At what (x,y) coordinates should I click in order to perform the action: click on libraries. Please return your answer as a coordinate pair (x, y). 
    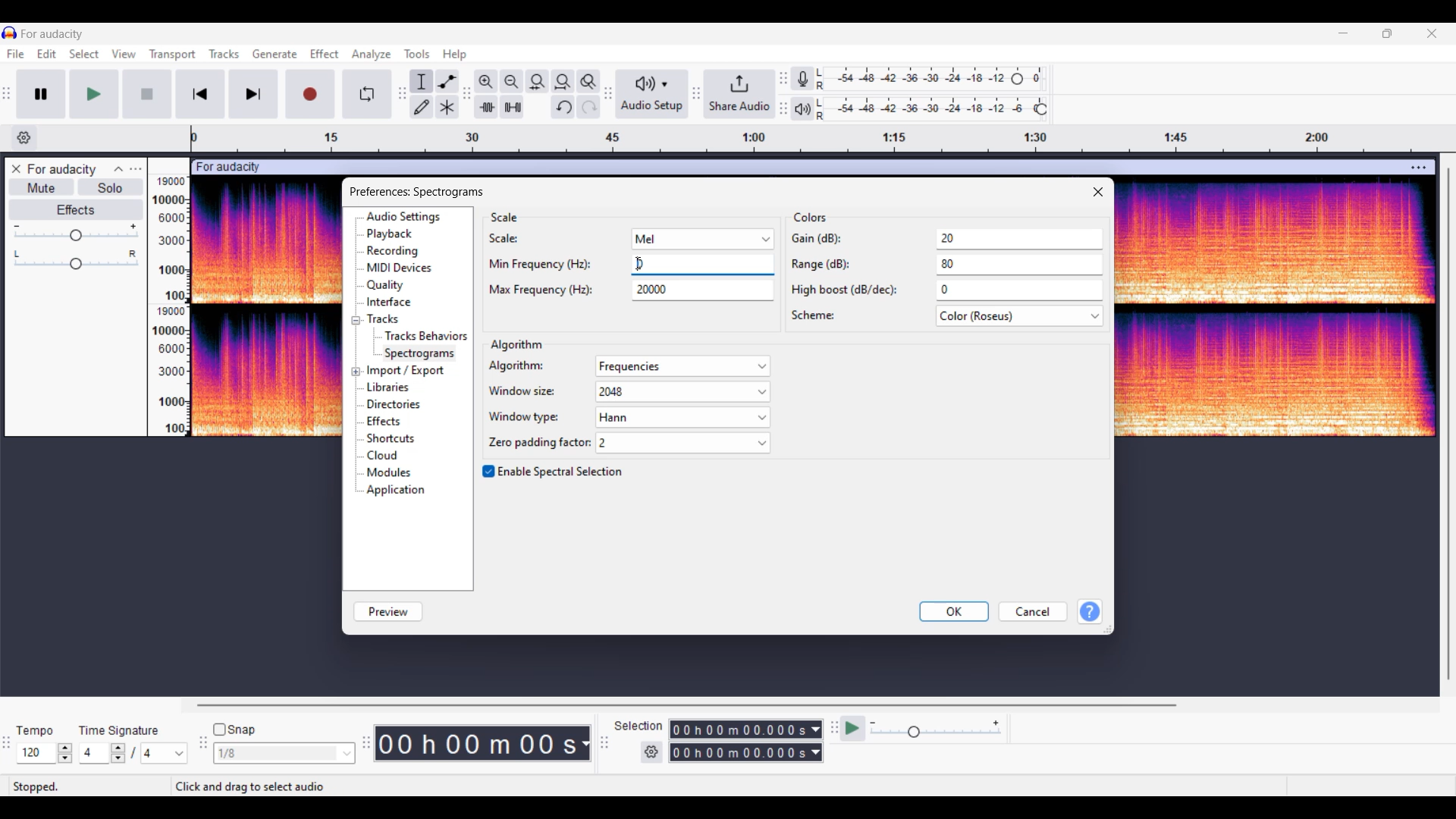
    Looking at the image, I should click on (391, 388).